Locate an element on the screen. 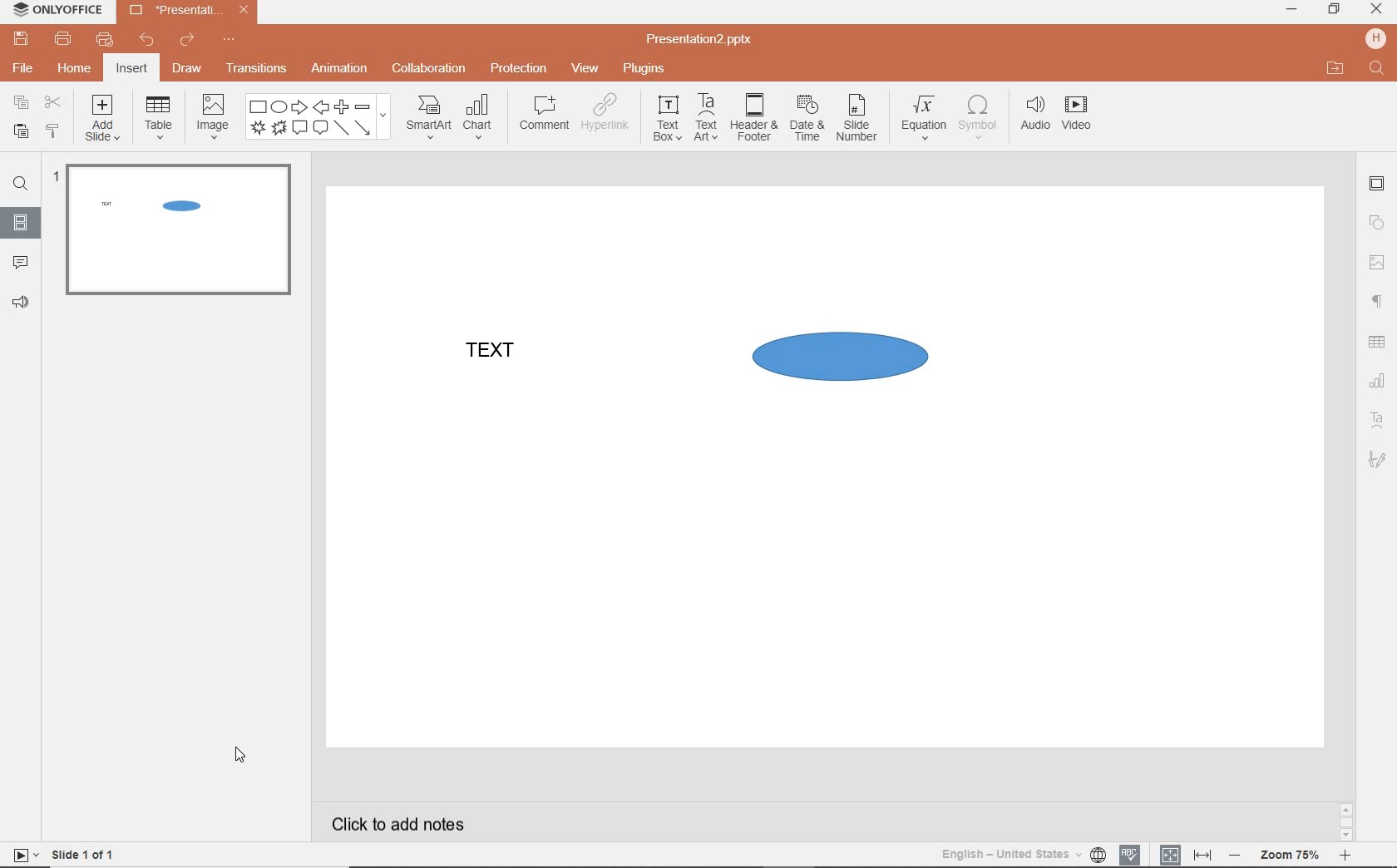 This screenshot has height=868, width=1397. cursor is located at coordinates (242, 757).